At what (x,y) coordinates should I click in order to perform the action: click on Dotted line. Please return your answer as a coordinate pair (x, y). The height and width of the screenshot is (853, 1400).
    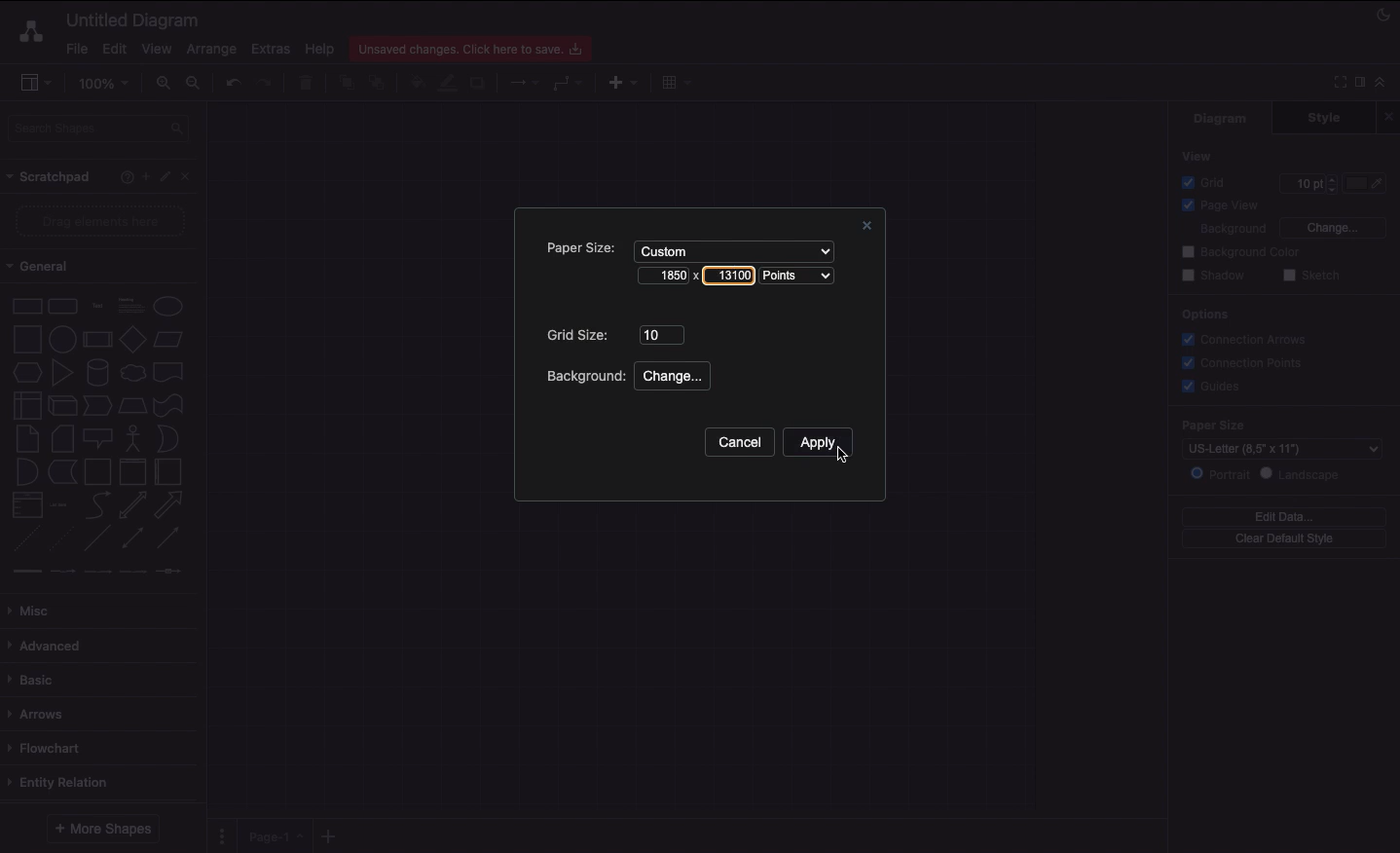
    Looking at the image, I should click on (61, 540).